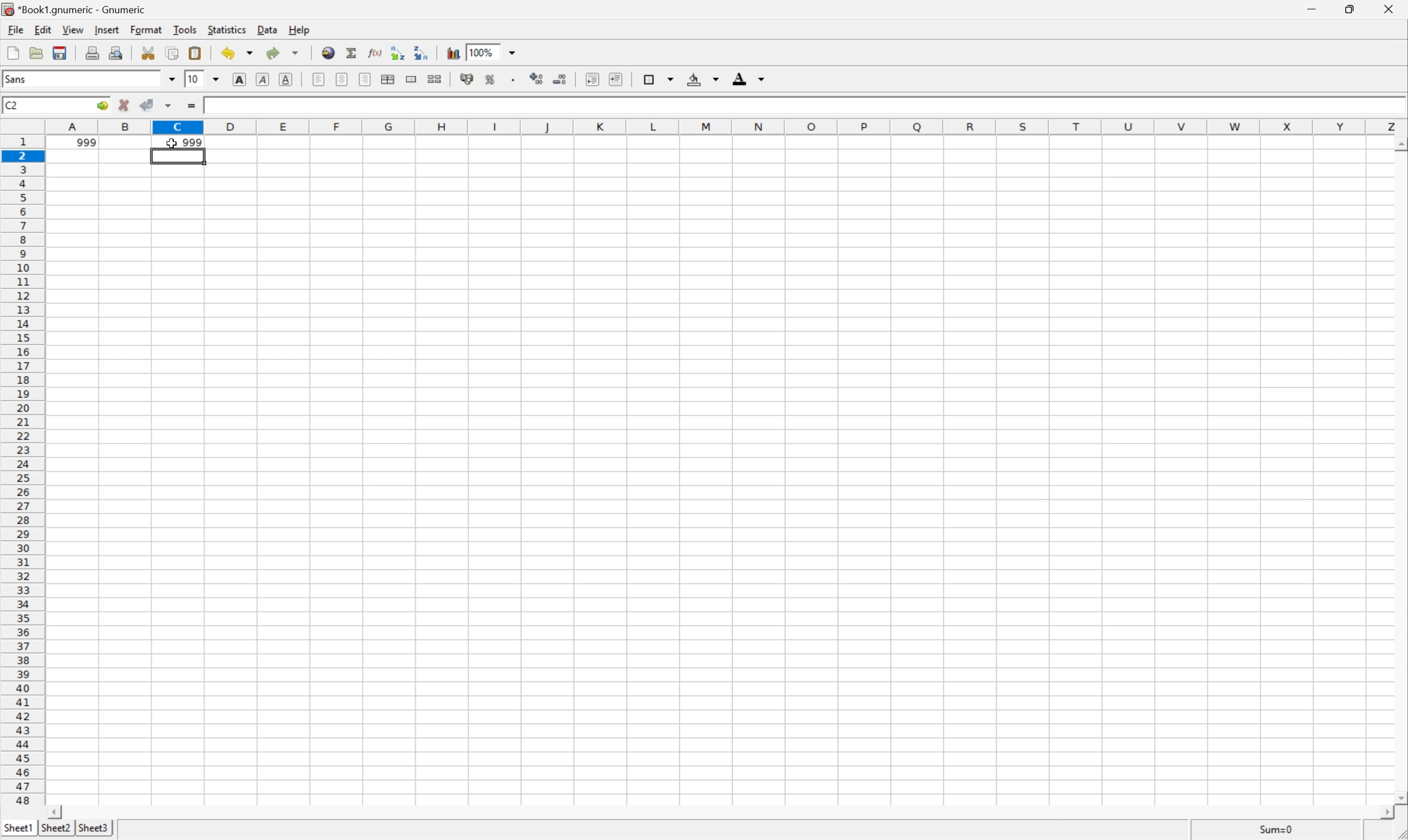  Describe the element at coordinates (709, 485) in the screenshot. I see `Cells` at that location.